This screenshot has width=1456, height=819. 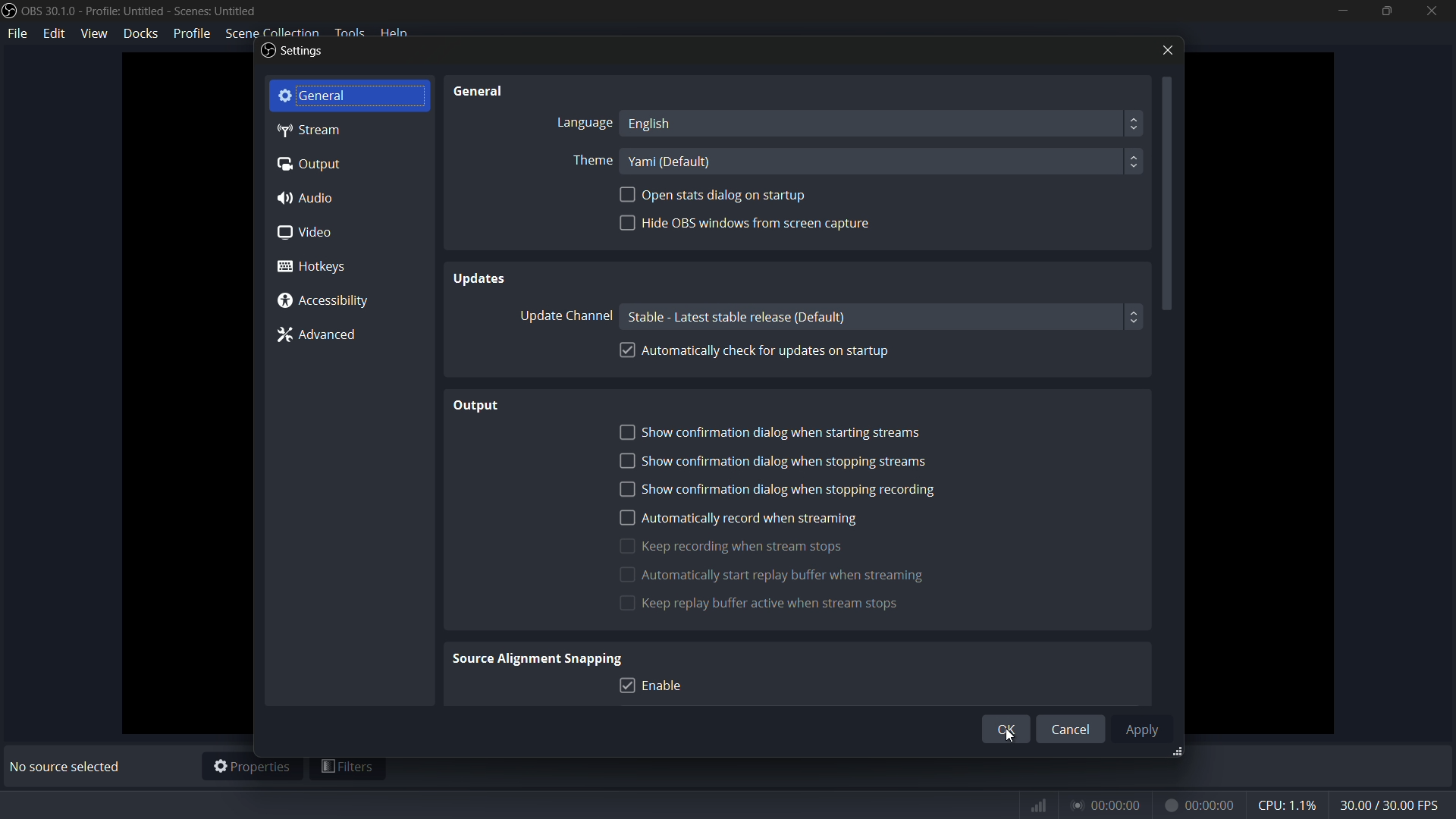 What do you see at coordinates (96, 33) in the screenshot?
I see `view` at bounding box center [96, 33].